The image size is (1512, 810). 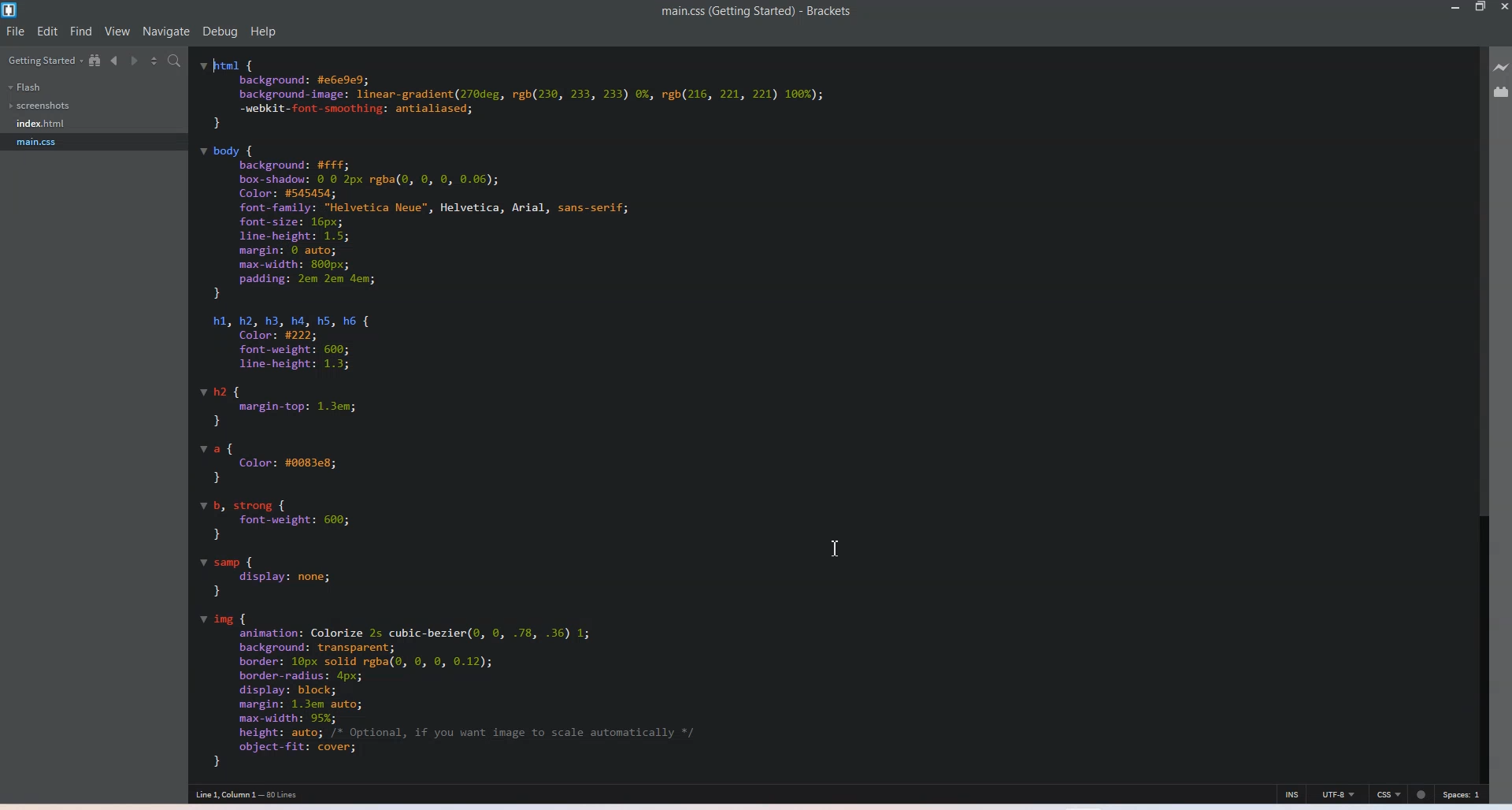 I want to click on Help, so click(x=264, y=32).